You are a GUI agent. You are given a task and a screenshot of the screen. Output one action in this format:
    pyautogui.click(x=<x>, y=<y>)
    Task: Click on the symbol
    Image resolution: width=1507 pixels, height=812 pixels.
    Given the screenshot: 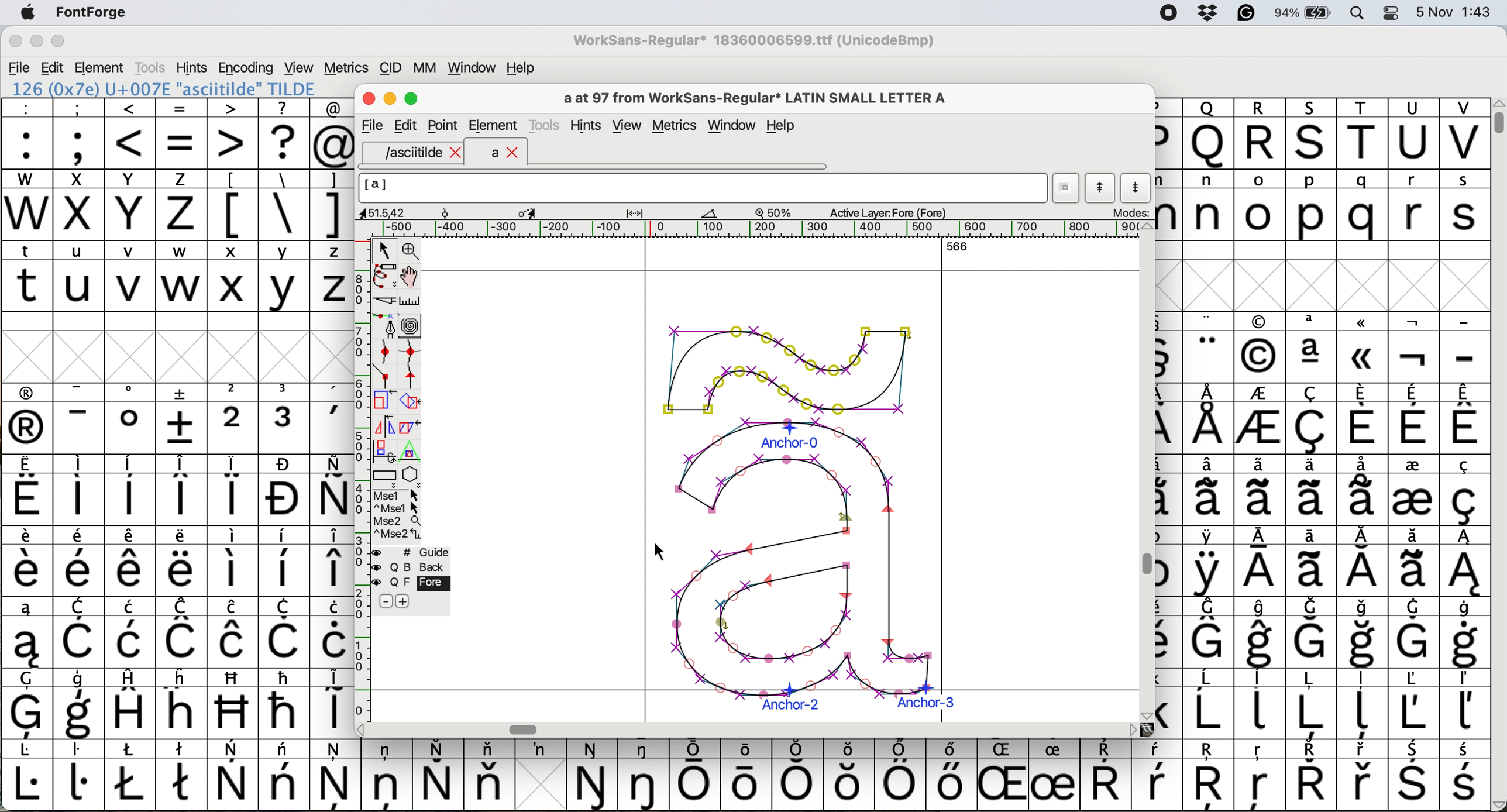 What is the action you would take?
    pyautogui.click(x=1054, y=776)
    